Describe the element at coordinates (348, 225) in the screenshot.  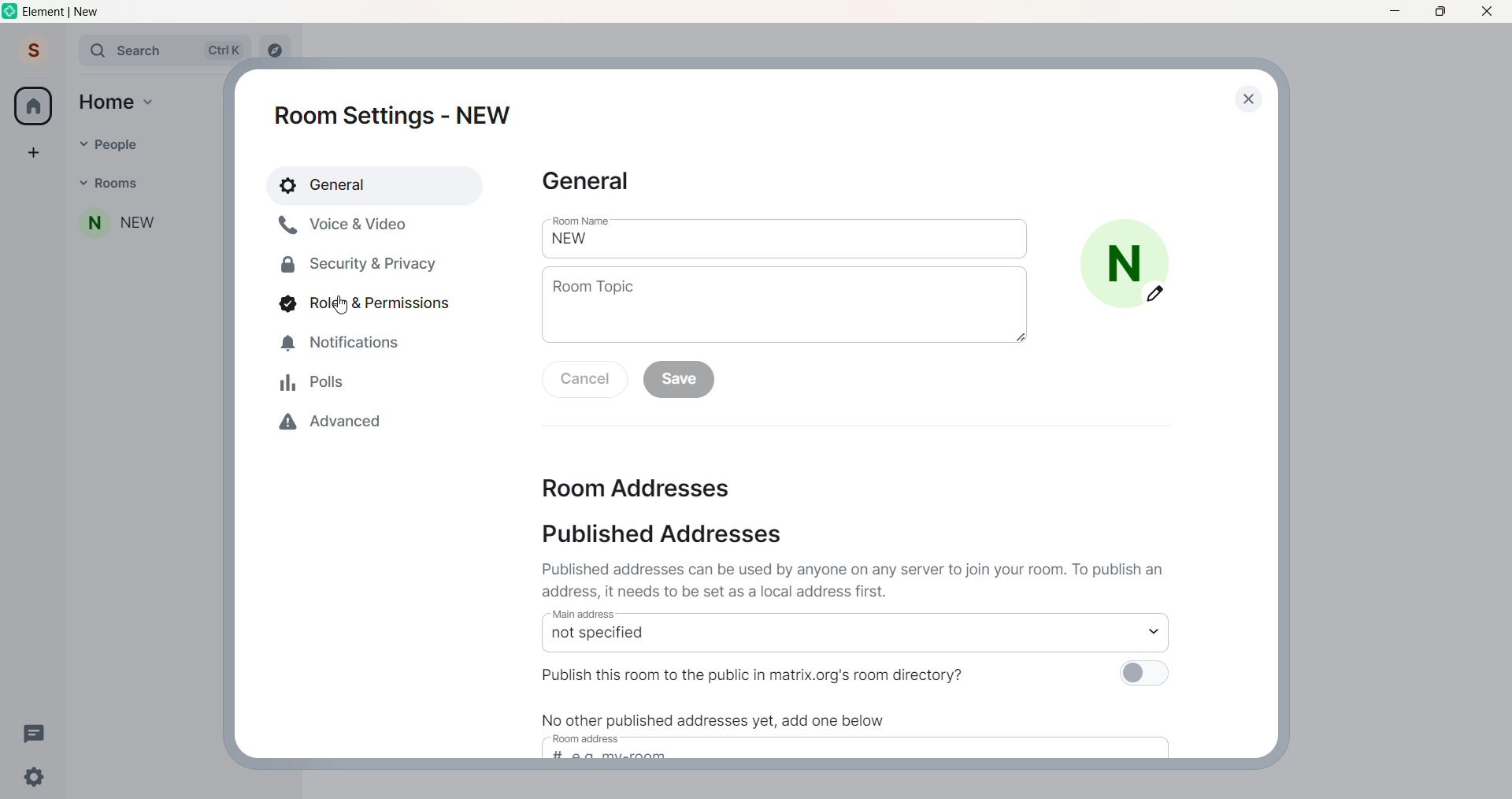
I see `voice and video` at that location.